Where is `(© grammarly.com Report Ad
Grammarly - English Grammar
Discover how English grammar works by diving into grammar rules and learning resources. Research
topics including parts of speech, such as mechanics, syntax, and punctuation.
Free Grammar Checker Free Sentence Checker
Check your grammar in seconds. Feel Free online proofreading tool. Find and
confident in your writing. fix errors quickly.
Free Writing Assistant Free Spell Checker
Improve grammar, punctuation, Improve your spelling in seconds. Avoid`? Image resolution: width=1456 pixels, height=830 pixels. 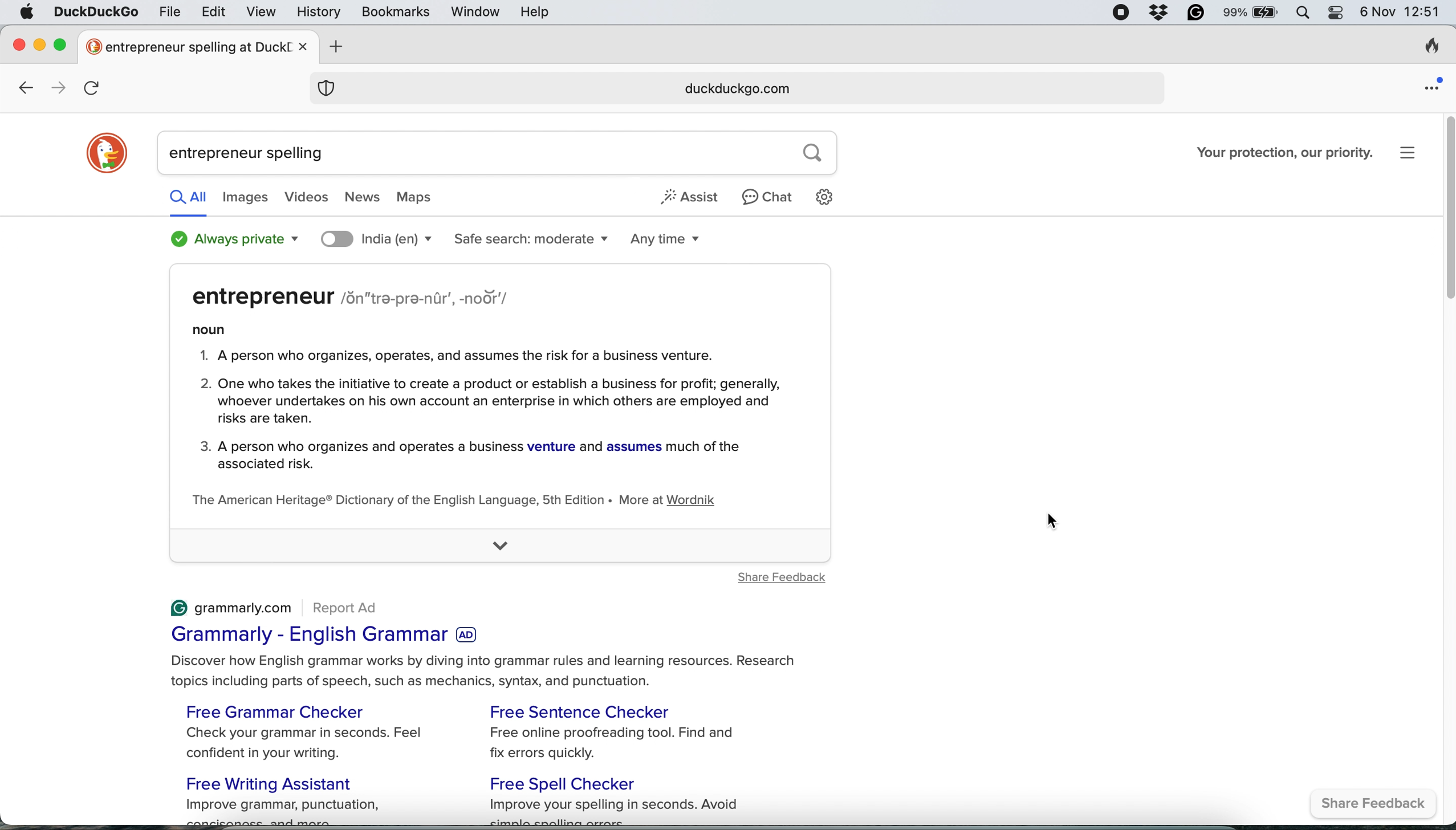
(© grammarly.com Report Ad
Grammarly - English Grammar
Discover how English grammar works by diving into grammar rules and learning resources. Research
topics including parts of speech, such as mechanics, syntax, and punctuation.
Free Grammar Checker Free Sentence Checker
Check your grammar in seconds. Feel Free online proofreading tool. Find and
confident in your writing. fix errors quickly.
Free Writing Assistant Free Spell Checker
Improve grammar, punctuation, Improve your spelling in seconds. Avoid is located at coordinates (477, 703).